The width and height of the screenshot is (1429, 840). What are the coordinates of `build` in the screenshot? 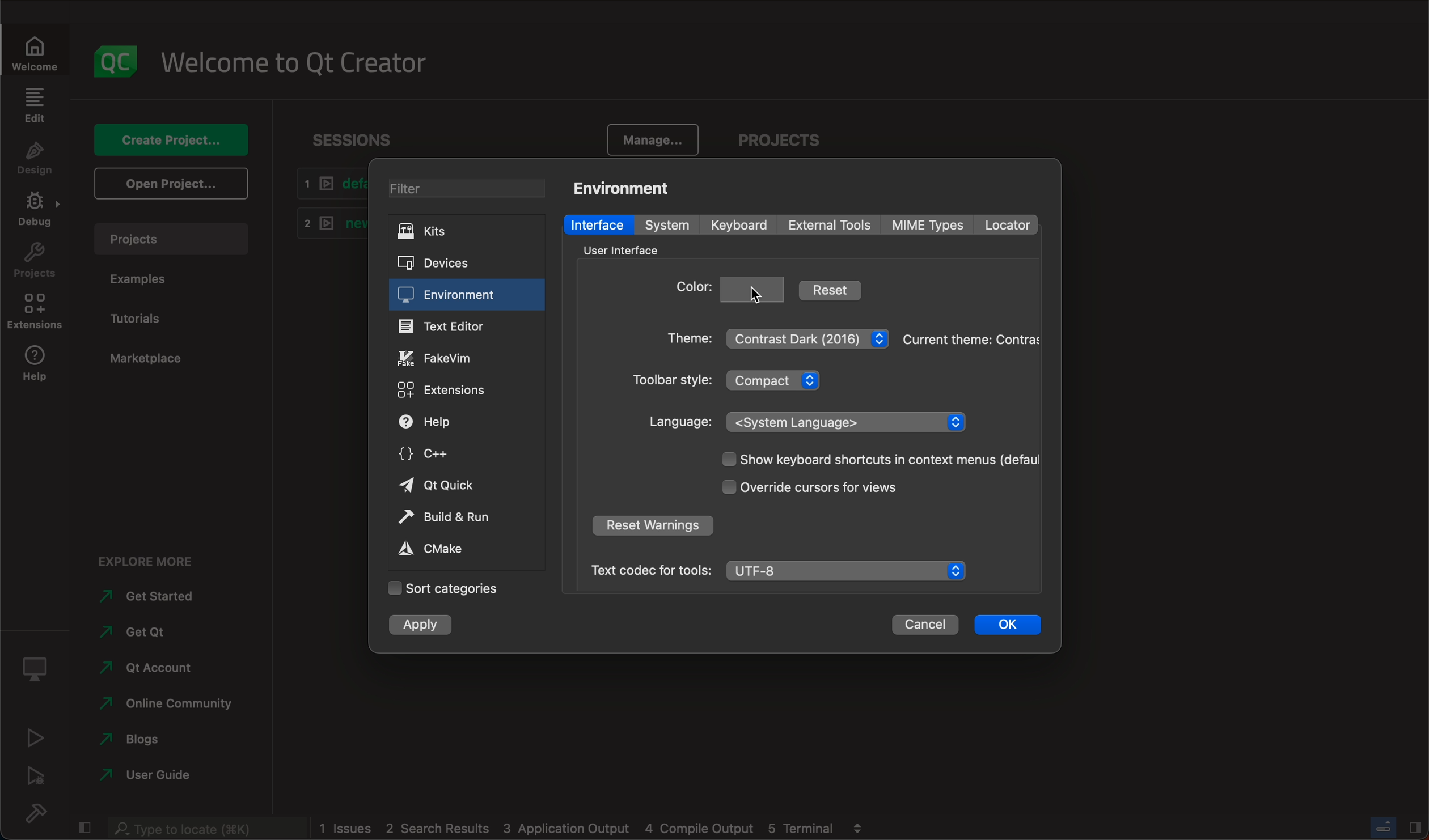 It's located at (43, 813).